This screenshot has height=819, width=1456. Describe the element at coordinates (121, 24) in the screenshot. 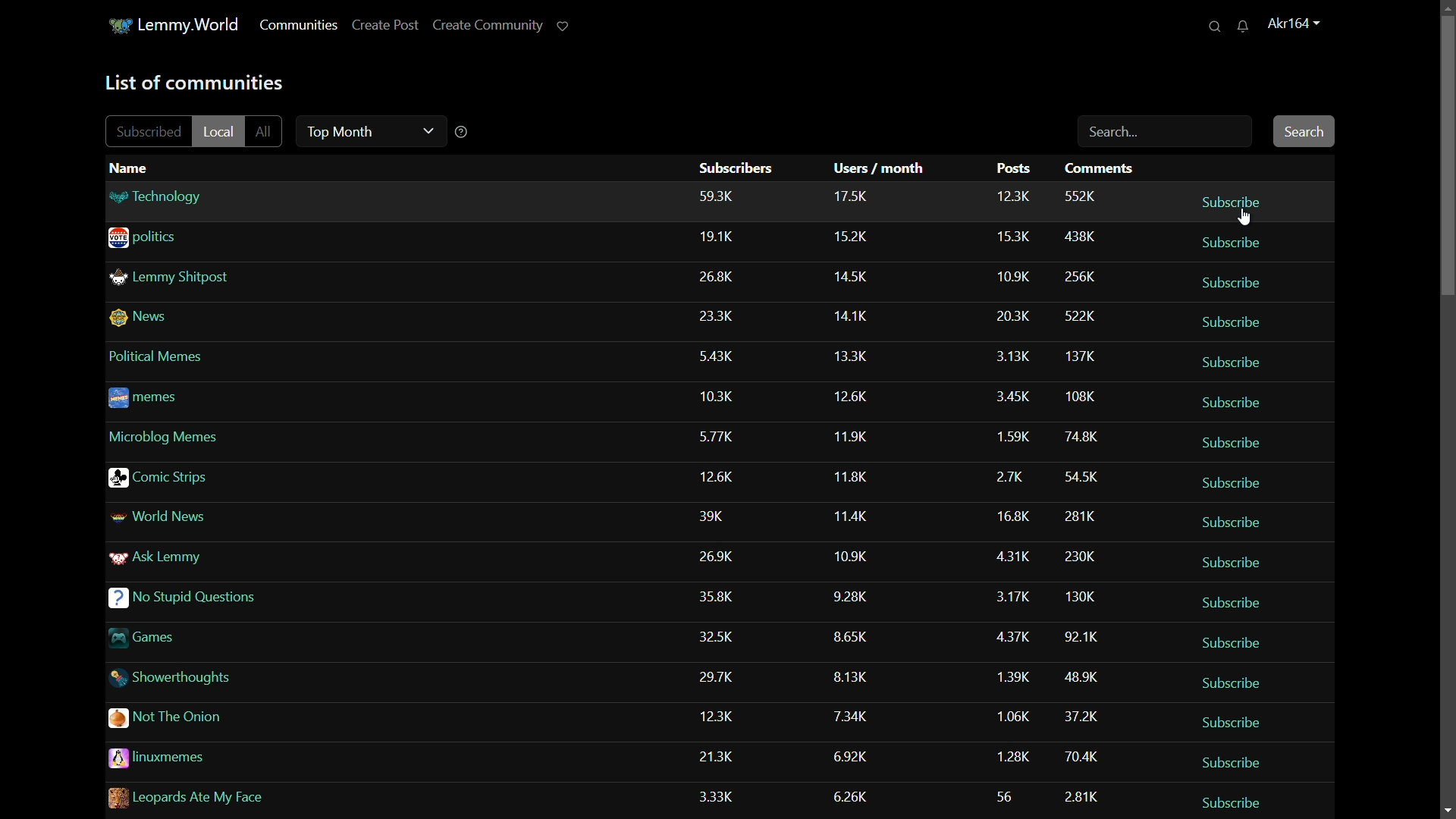

I see `app icon` at that location.